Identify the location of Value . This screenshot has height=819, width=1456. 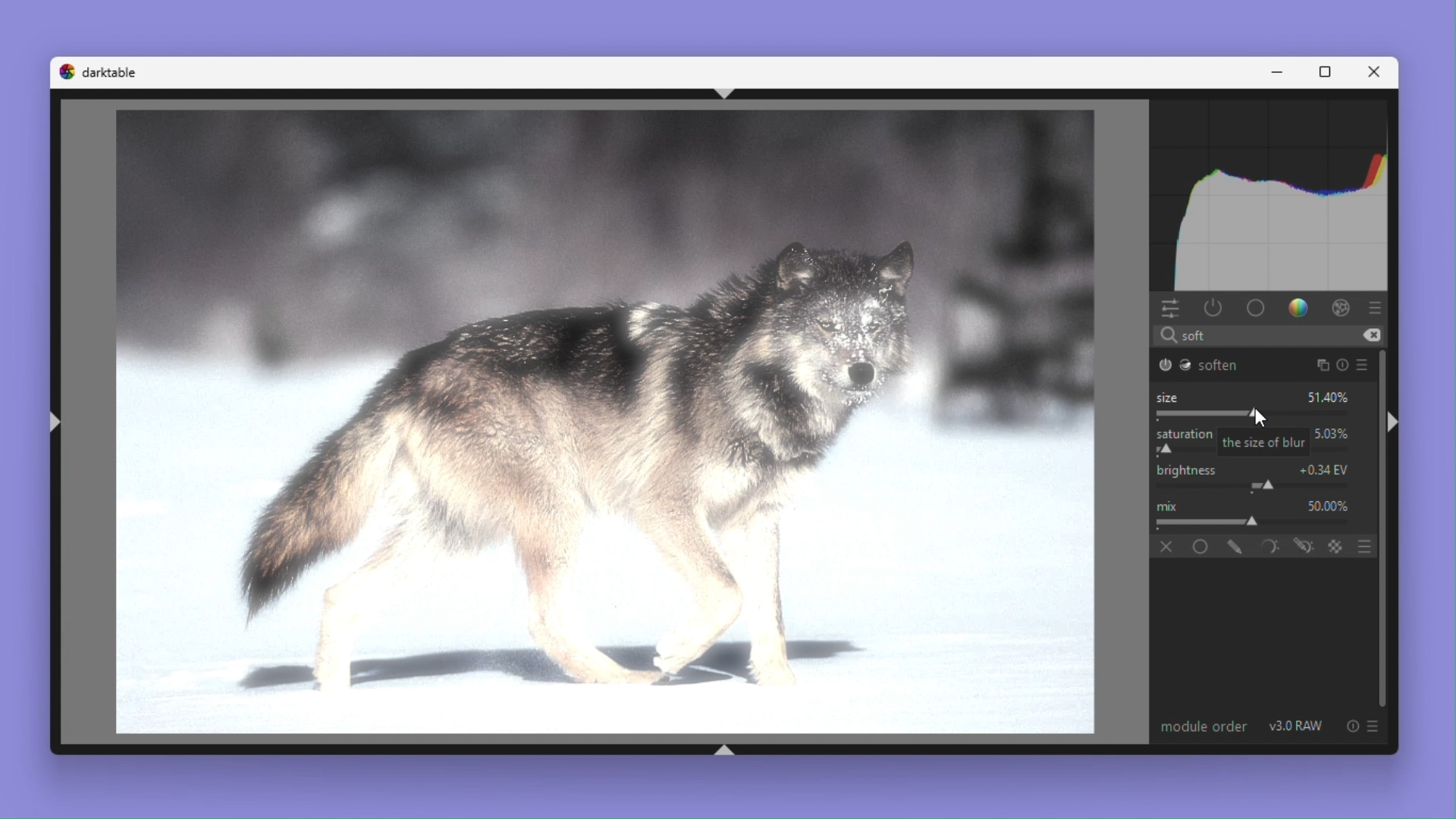
(1328, 504).